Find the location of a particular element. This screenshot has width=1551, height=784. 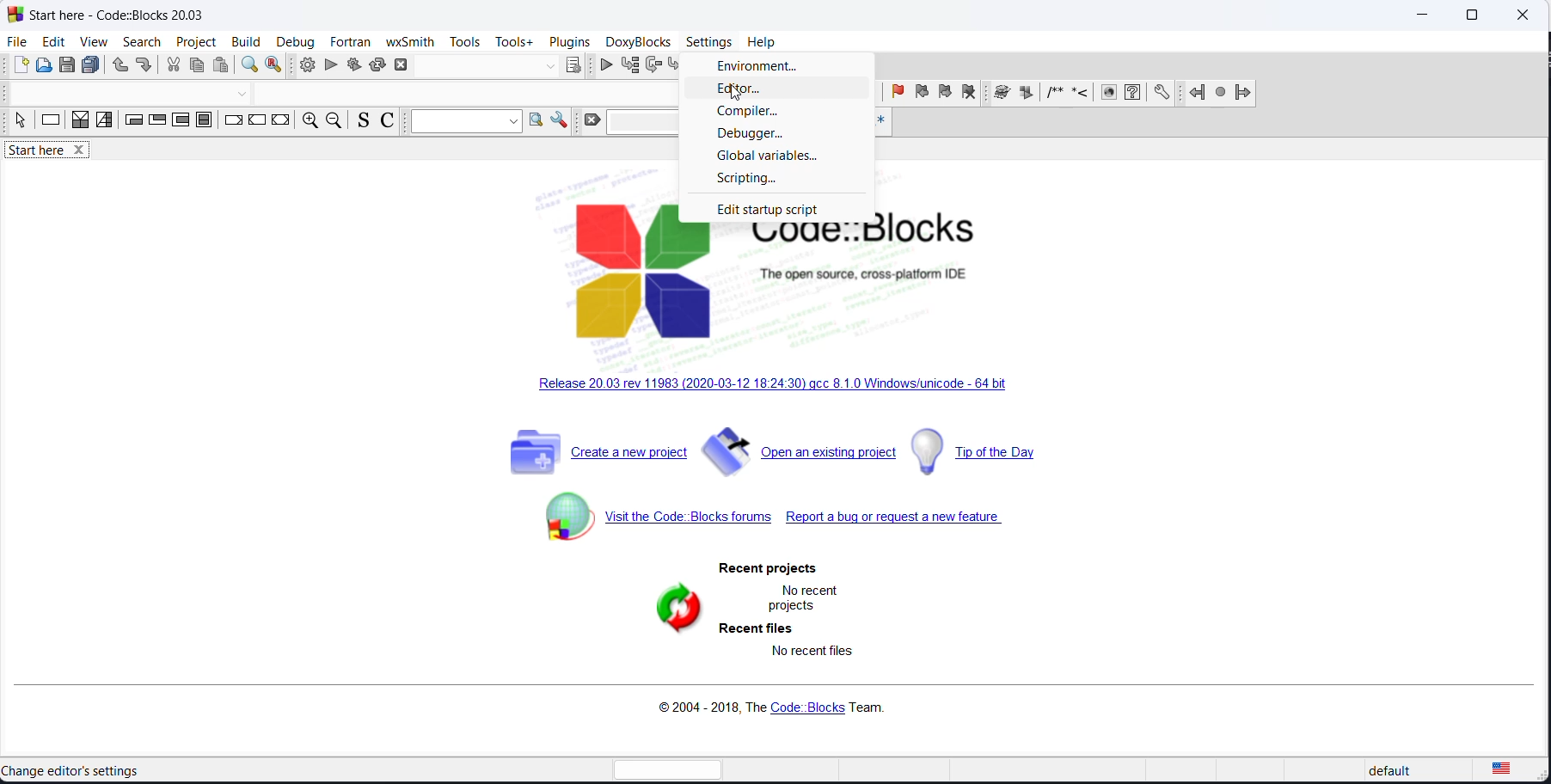

default is located at coordinates (1385, 772).